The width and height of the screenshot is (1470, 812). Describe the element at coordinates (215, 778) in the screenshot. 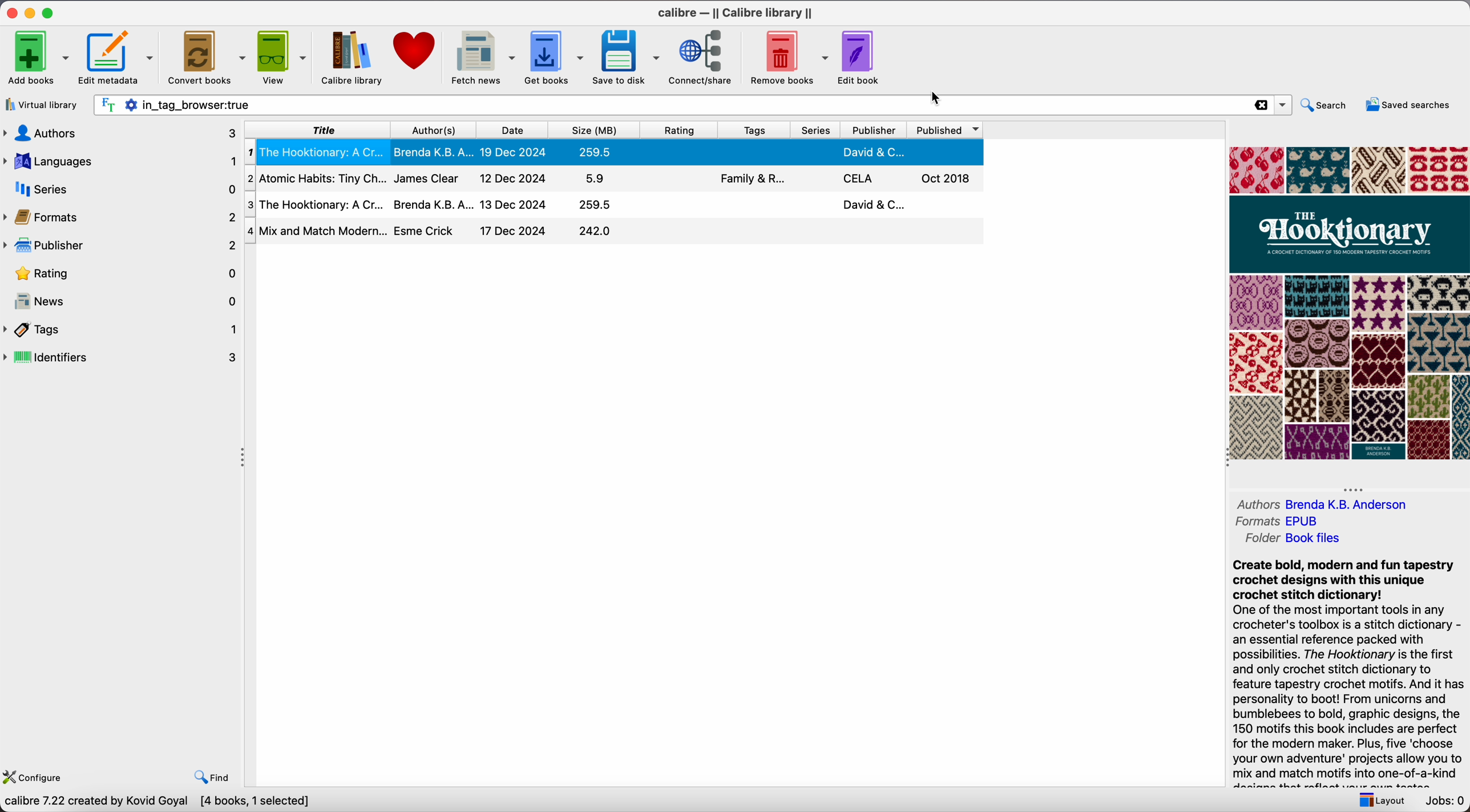

I see `Find` at that location.